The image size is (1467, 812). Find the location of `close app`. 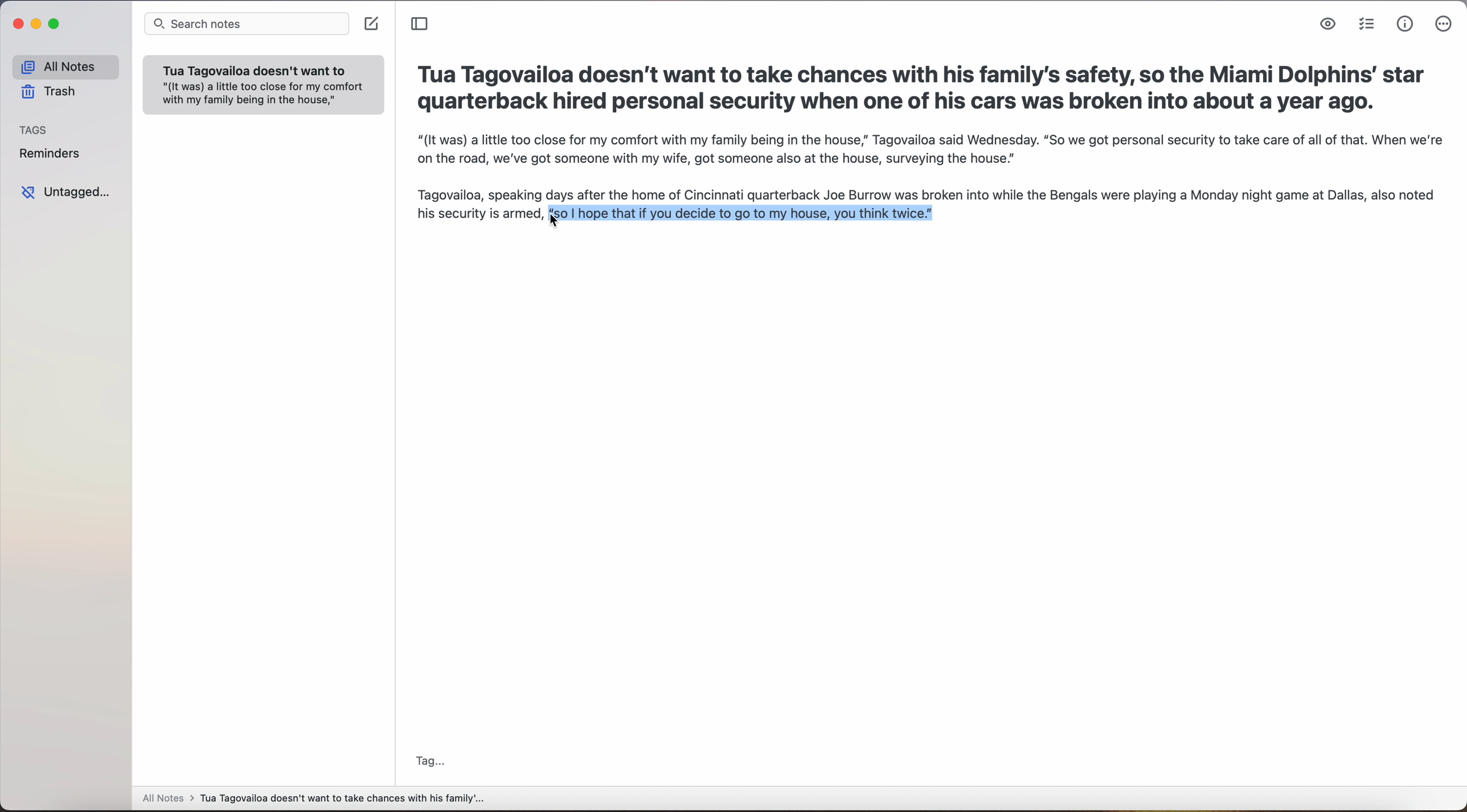

close app is located at coordinates (17, 26).